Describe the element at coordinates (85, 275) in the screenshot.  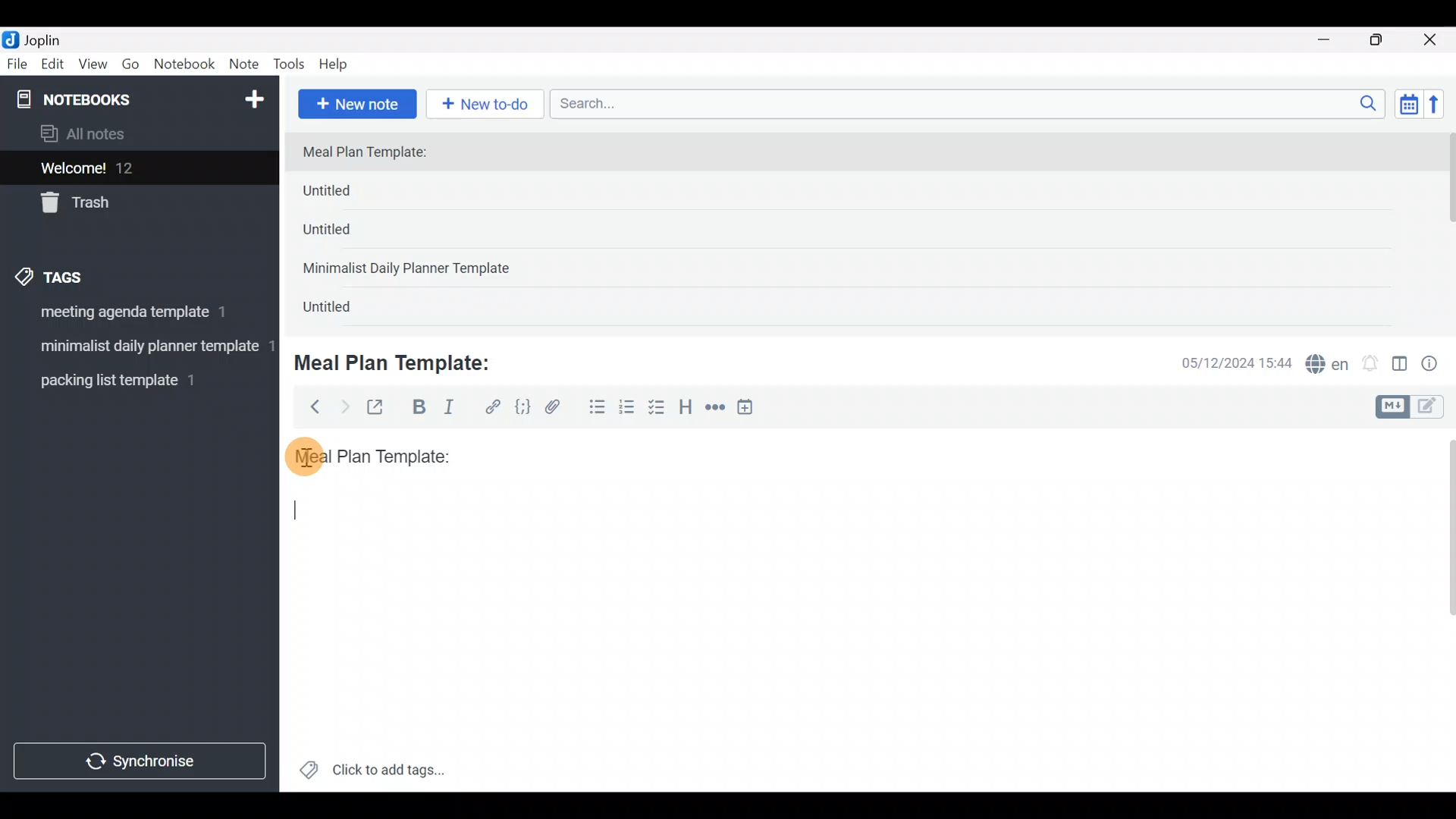
I see `Tags` at that location.